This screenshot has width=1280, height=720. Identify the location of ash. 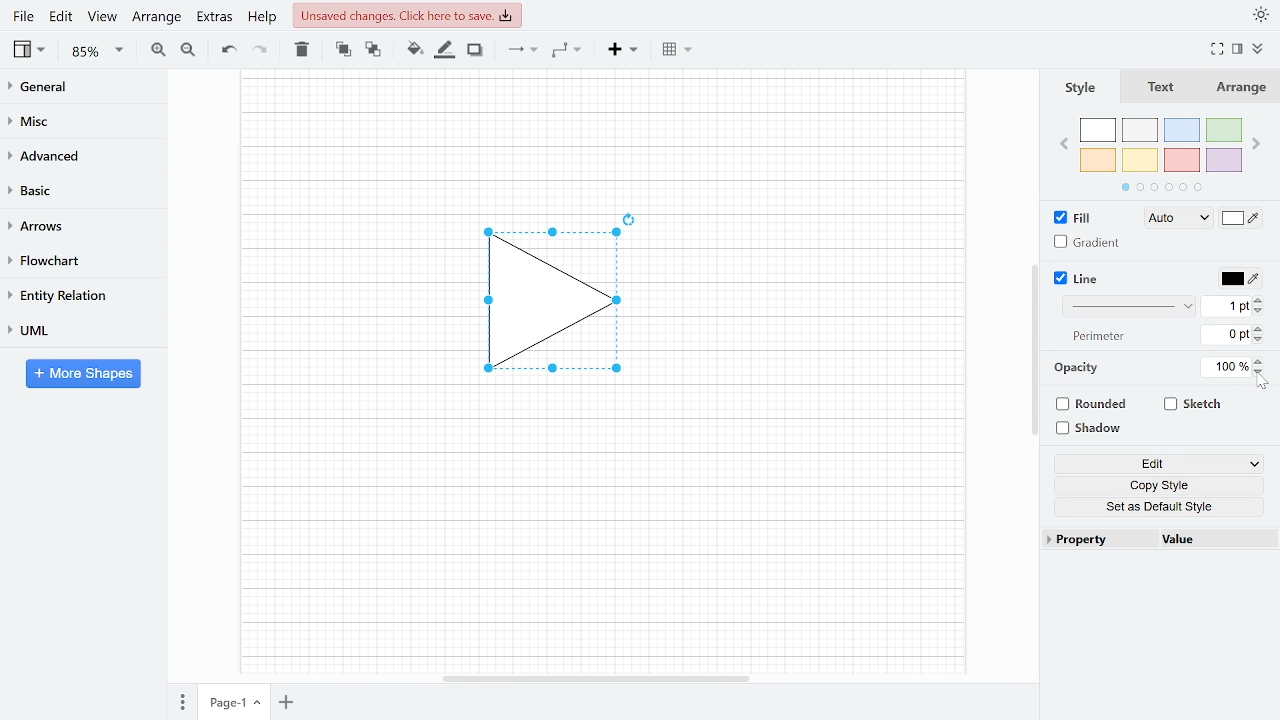
(1142, 131).